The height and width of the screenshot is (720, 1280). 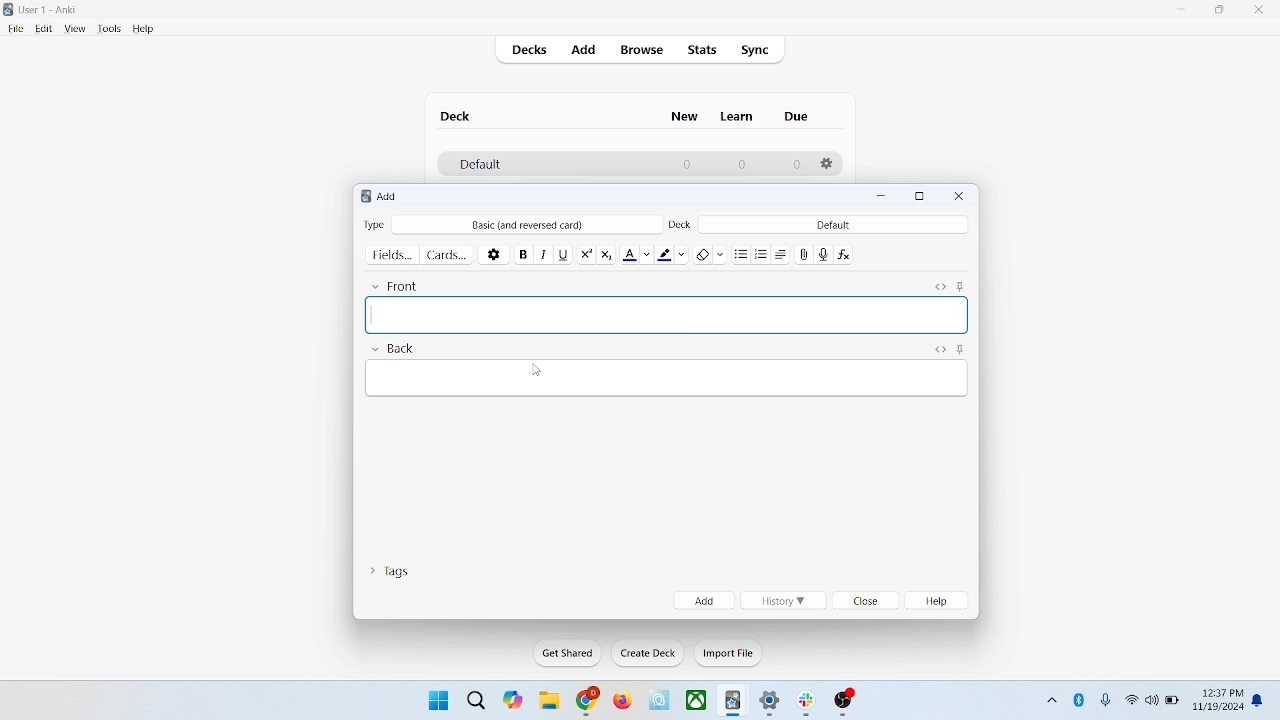 I want to click on superscript, so click(x=586, y=252).